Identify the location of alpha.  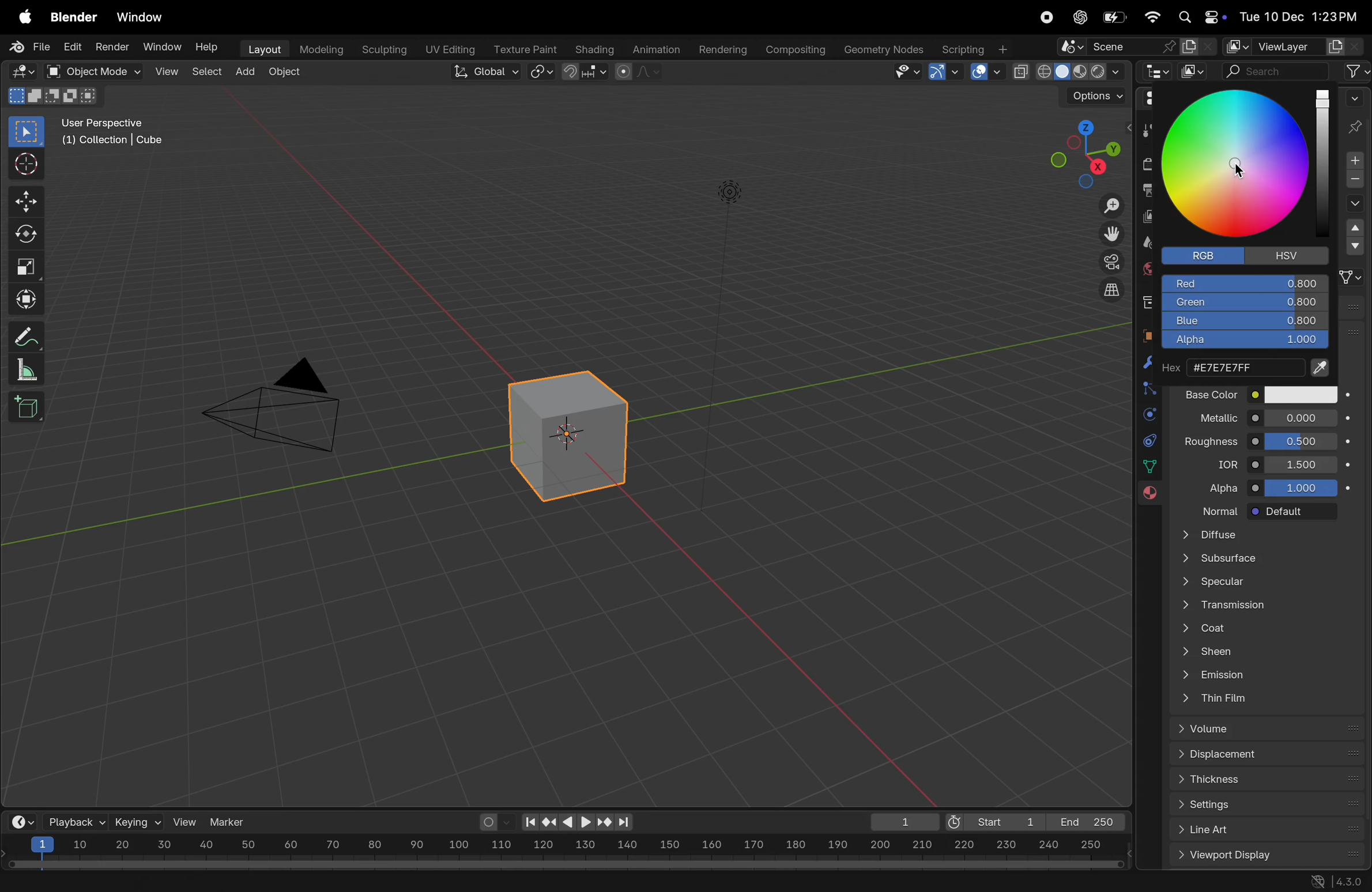
(1218, 485).